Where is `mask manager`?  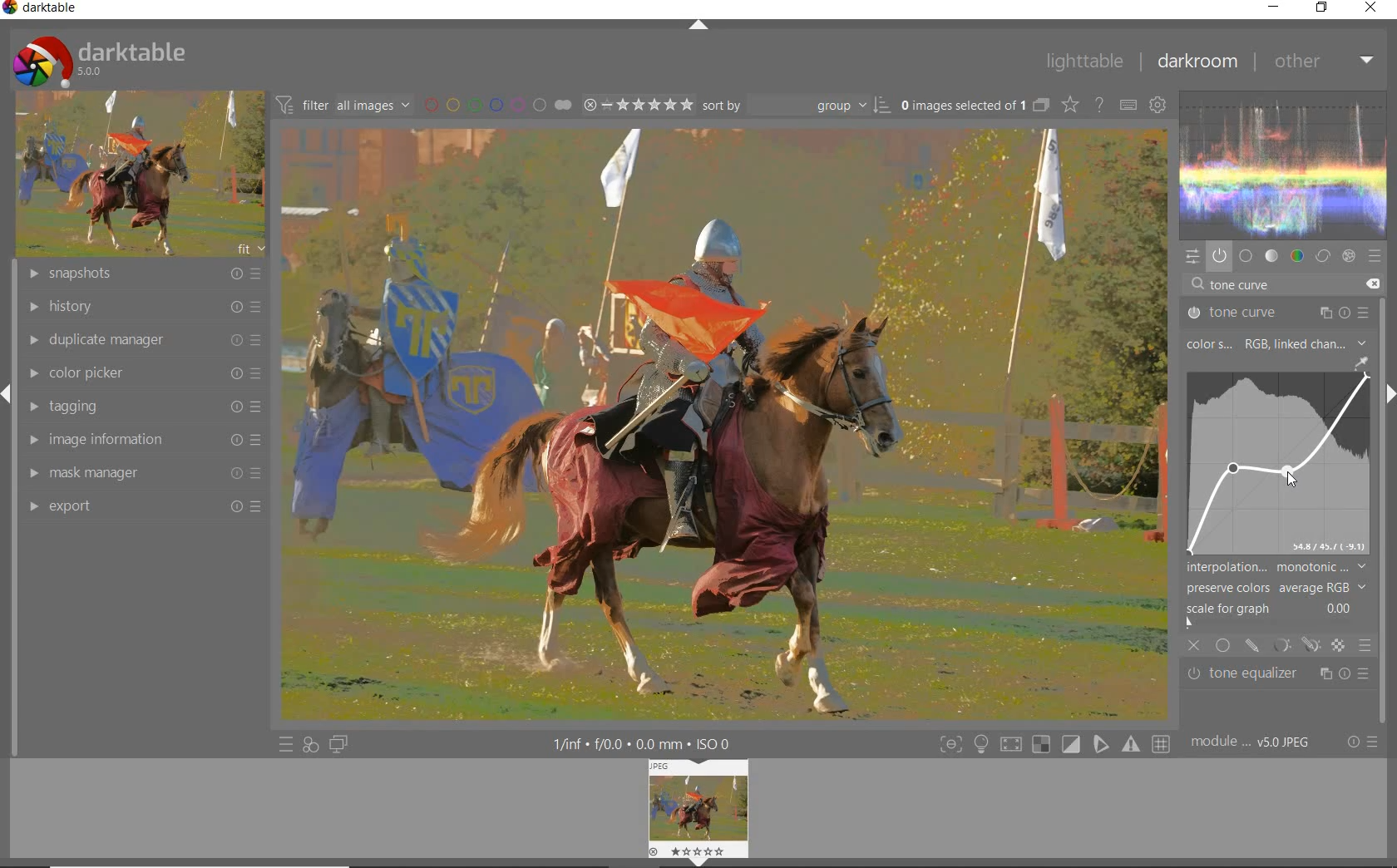
mask manager is located at coordinates (141, 475).